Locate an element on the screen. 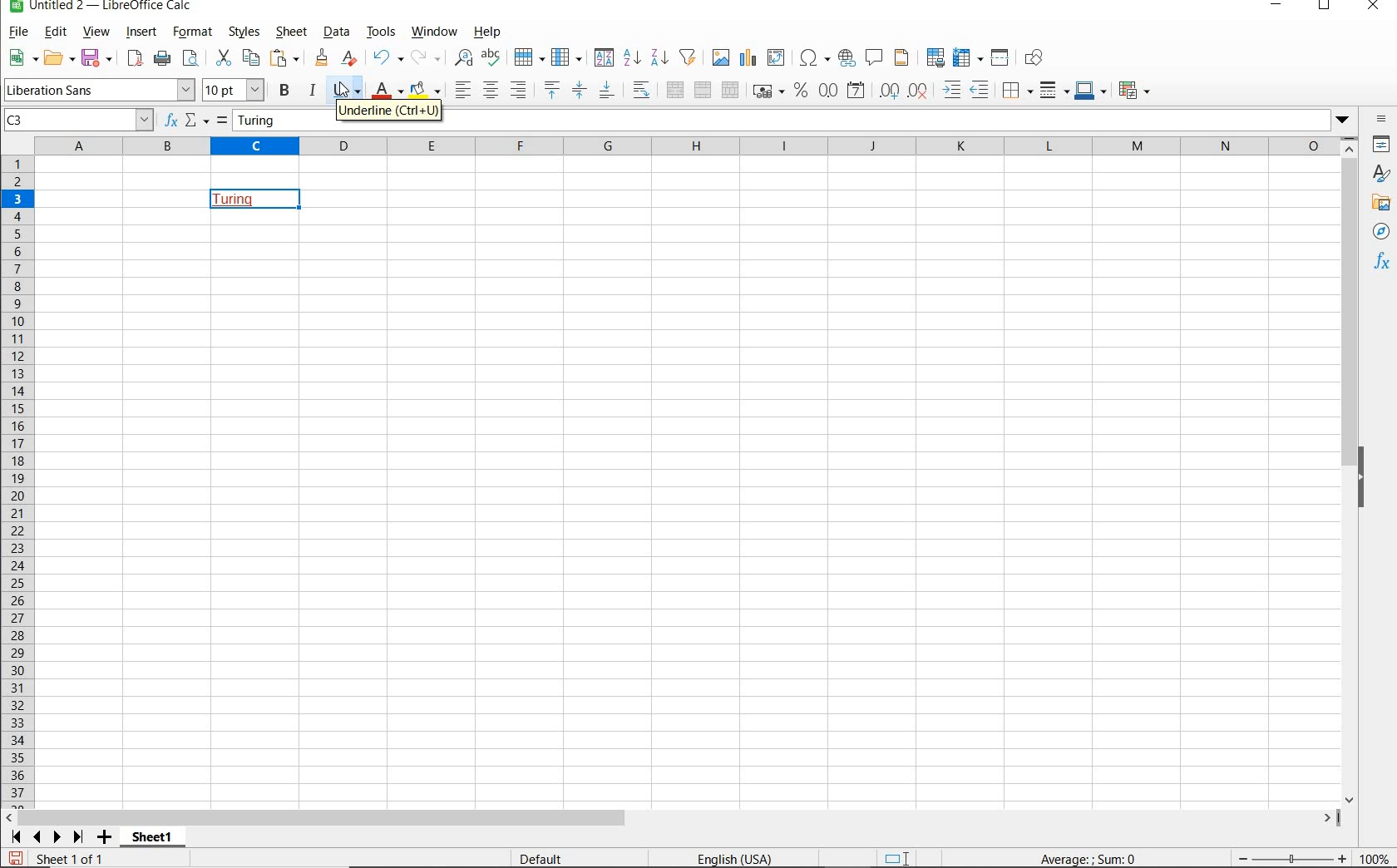  FORMAT AS DATE is located at coordinates (856, 91).